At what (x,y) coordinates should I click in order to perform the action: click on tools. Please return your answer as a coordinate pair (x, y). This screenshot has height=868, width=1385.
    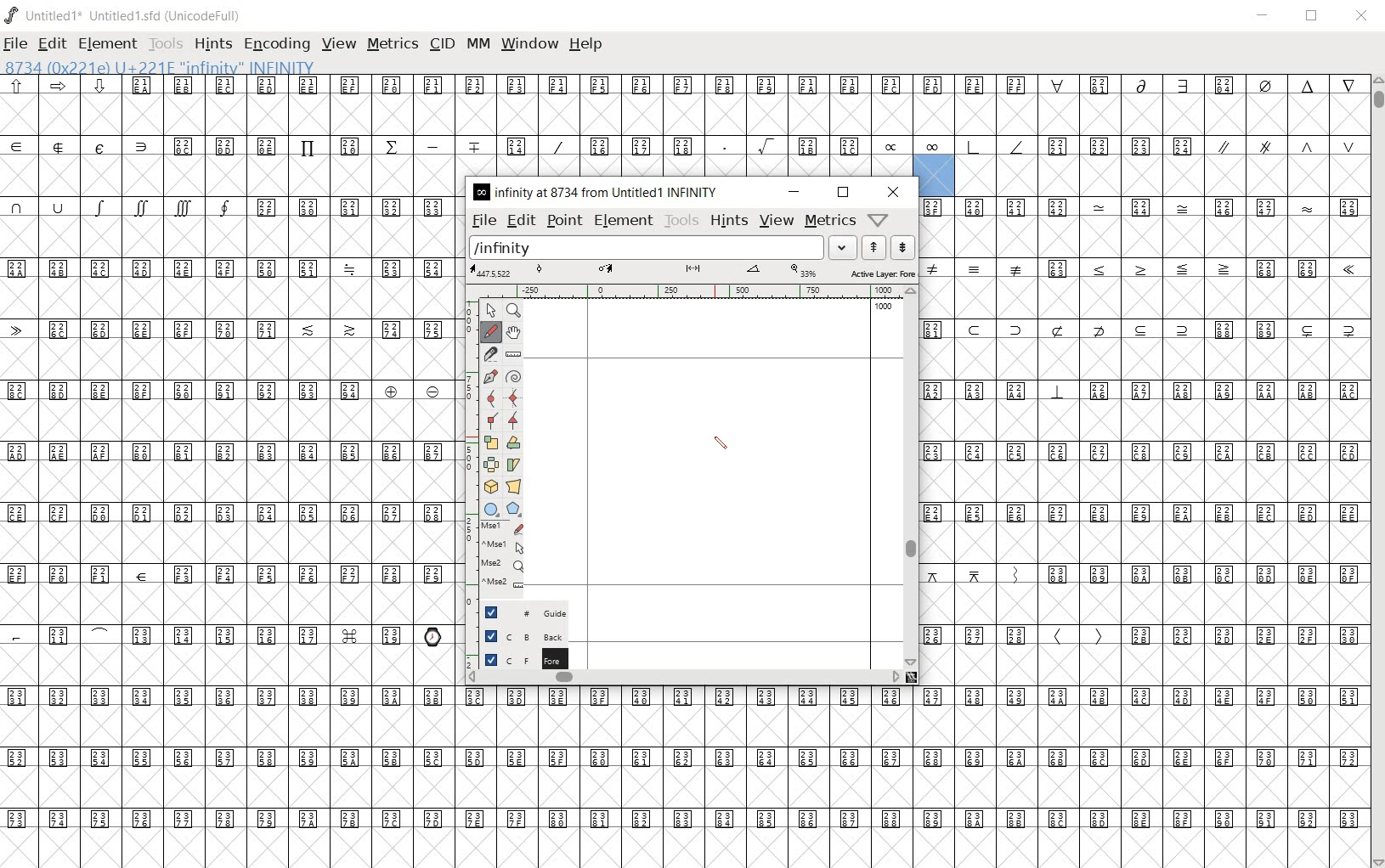
    Looking at the image, I should click on (681, 221).